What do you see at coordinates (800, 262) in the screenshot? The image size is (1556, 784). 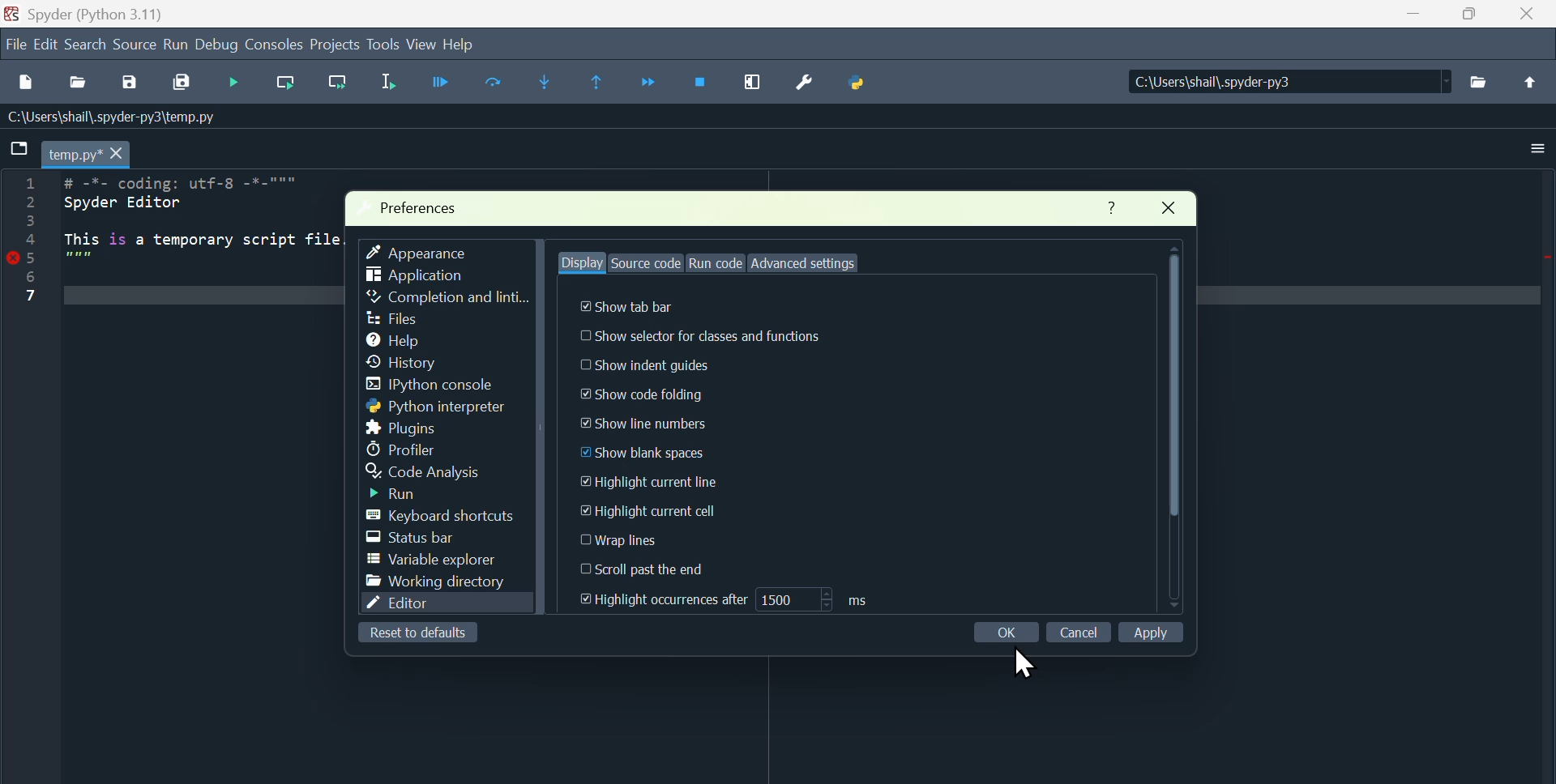 I see `Advanced settings` at bounding box center [800, 262].